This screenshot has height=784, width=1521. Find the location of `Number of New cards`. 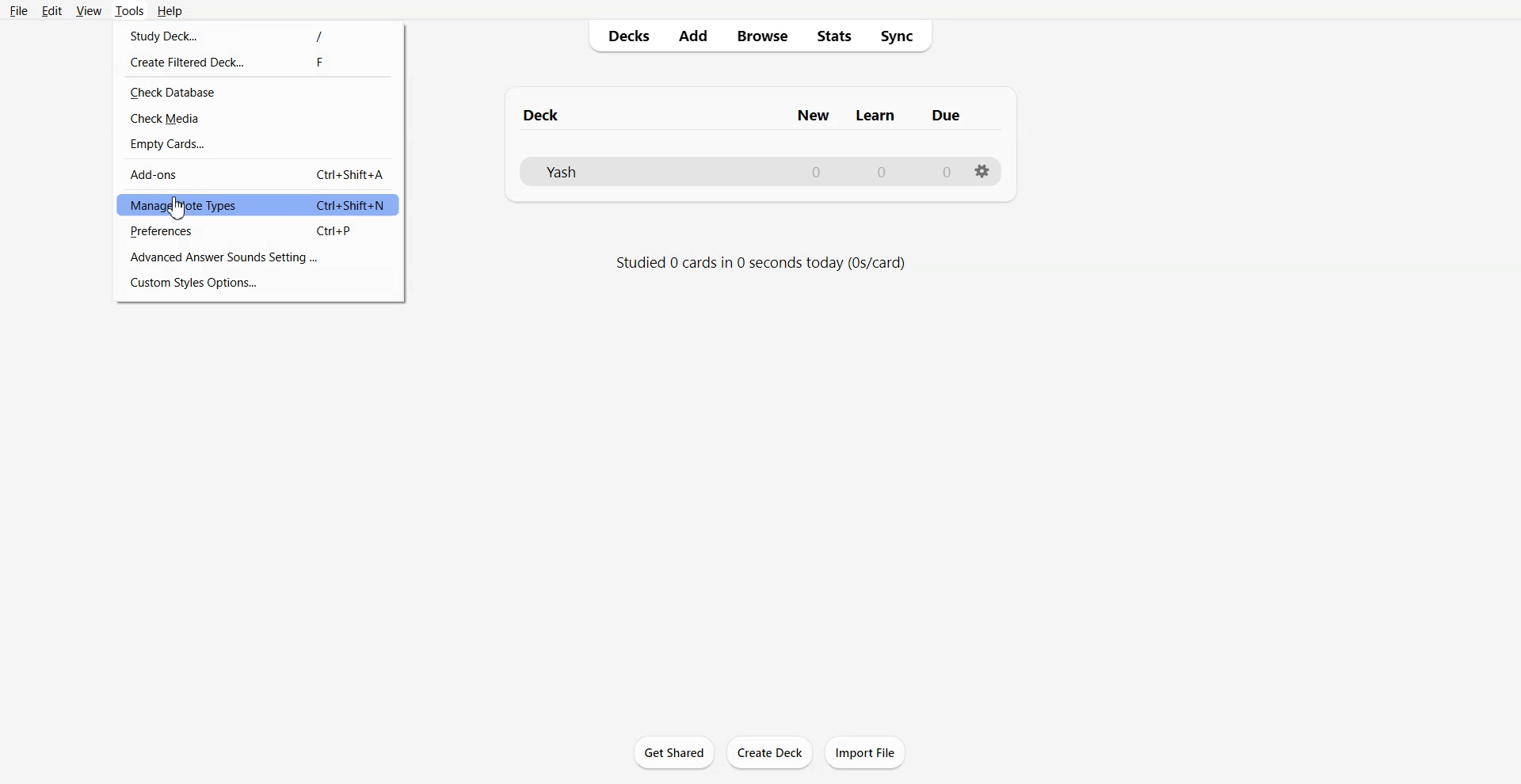

Number of New cards is located at coordinates (816, 172).